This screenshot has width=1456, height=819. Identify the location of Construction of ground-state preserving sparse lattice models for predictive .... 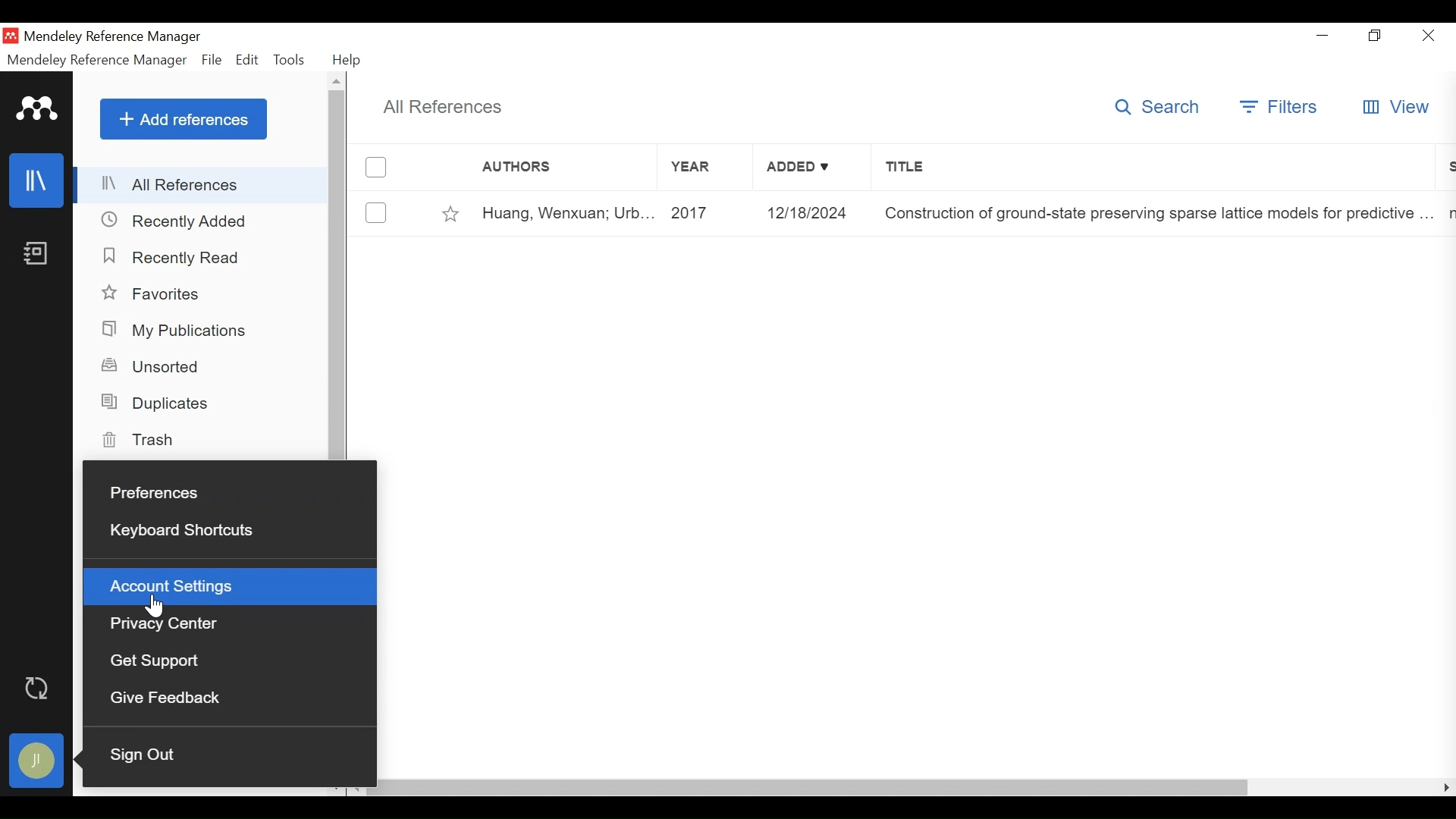
(1162, 212).